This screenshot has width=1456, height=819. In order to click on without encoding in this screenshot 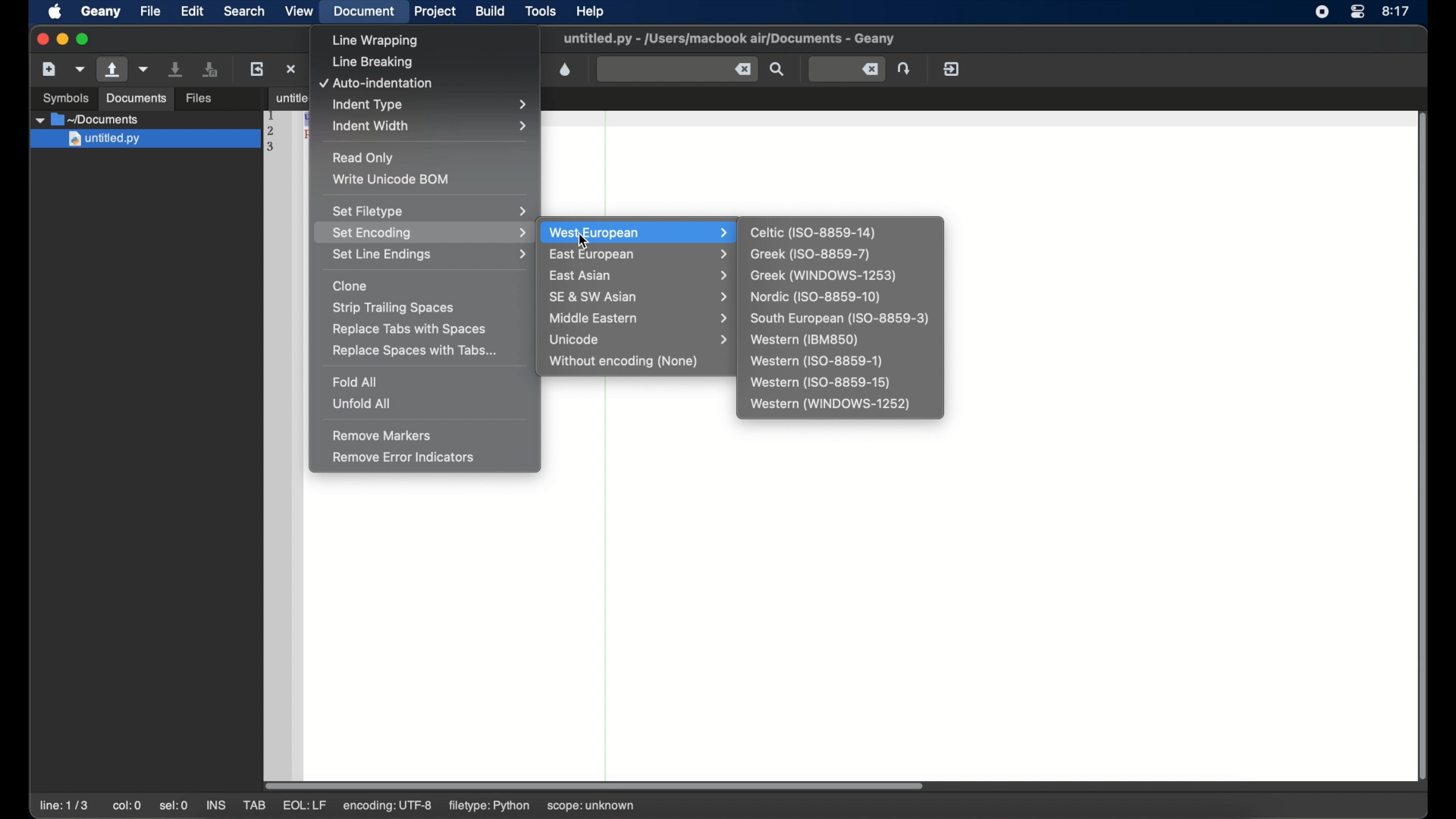, I will do `click(625, 362)`.